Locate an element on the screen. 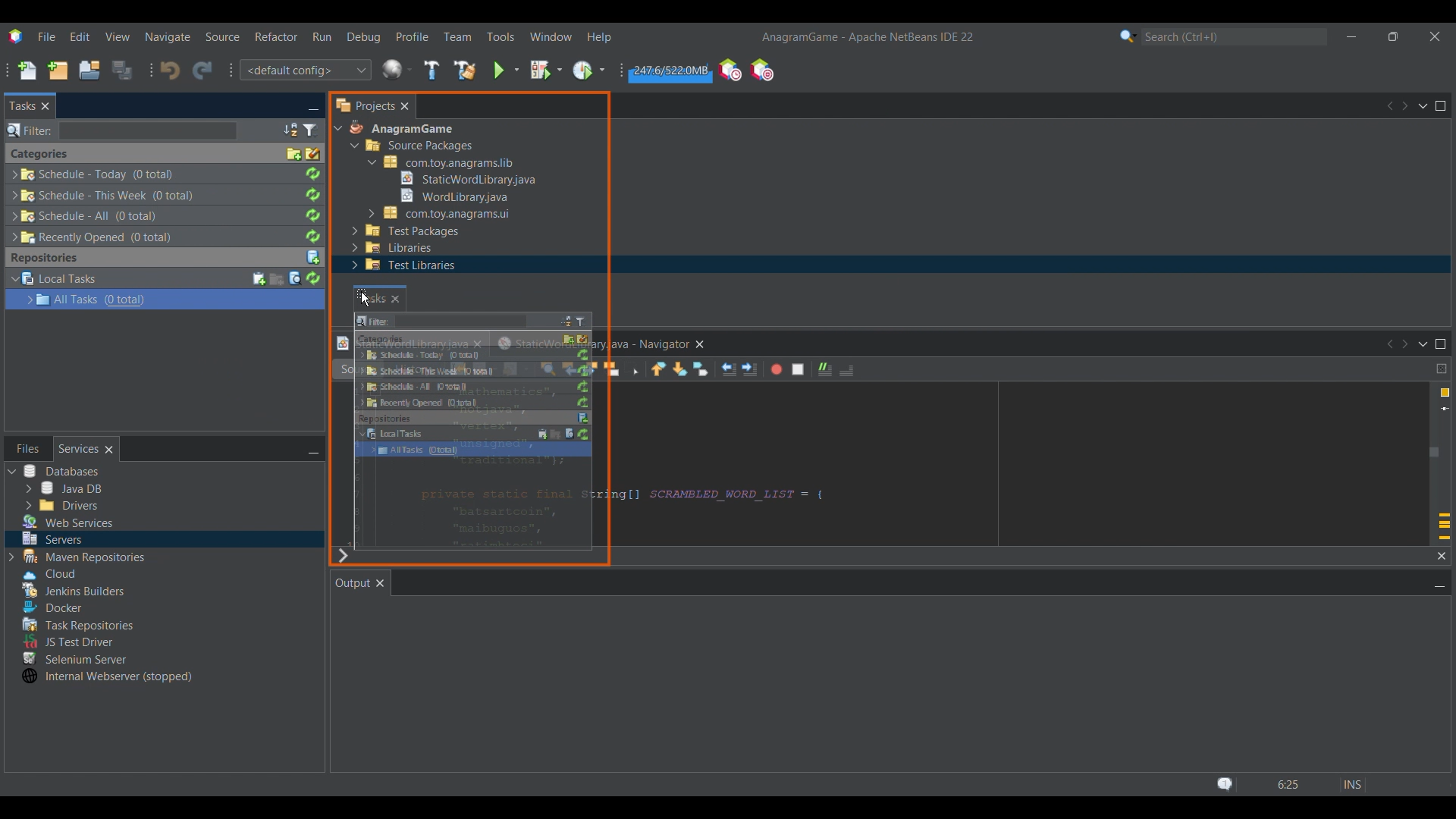   is located at coordinates (76, 623).